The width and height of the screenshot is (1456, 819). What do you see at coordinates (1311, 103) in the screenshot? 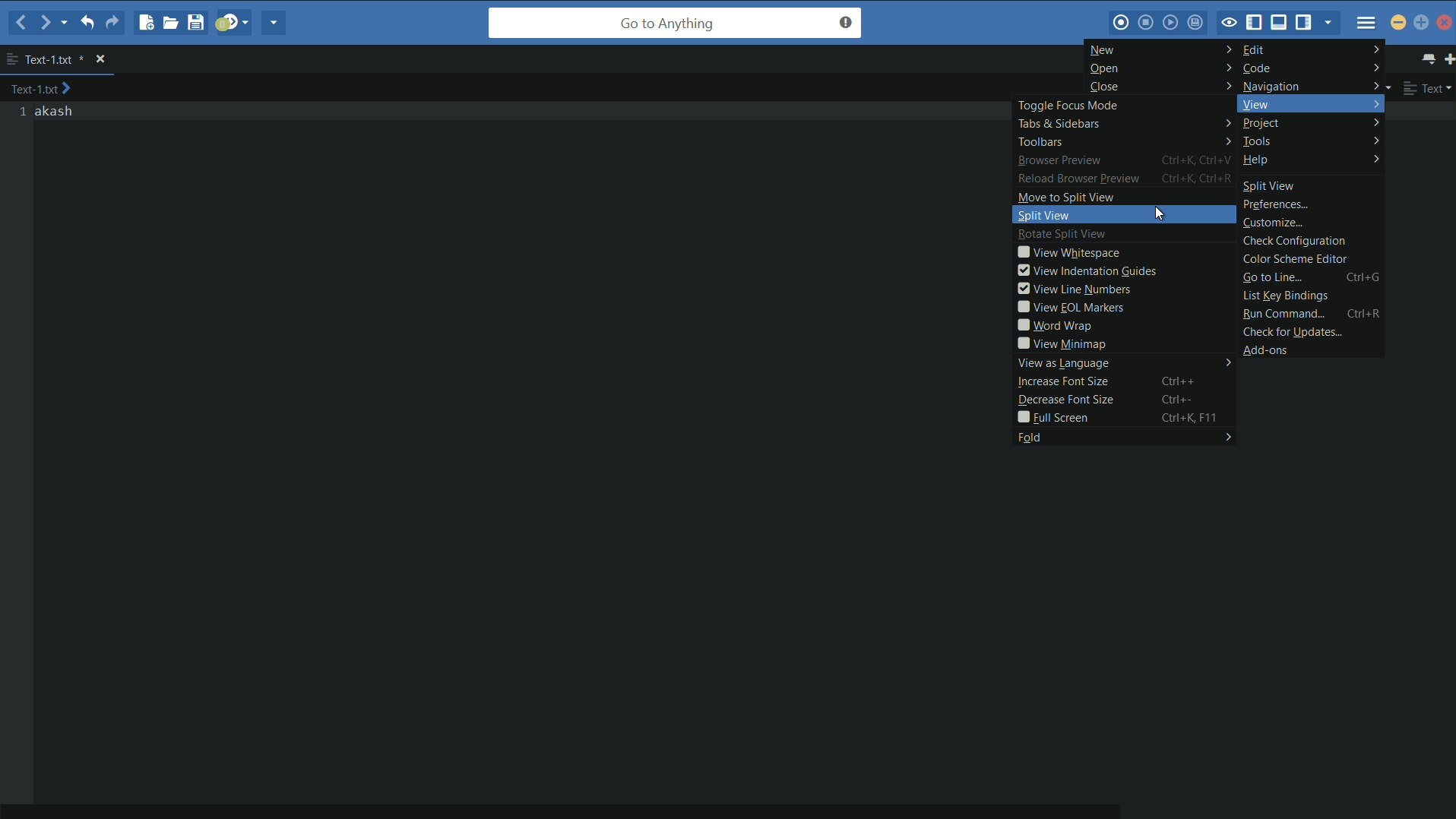
I see `view` at bounding box center [1311, 103].